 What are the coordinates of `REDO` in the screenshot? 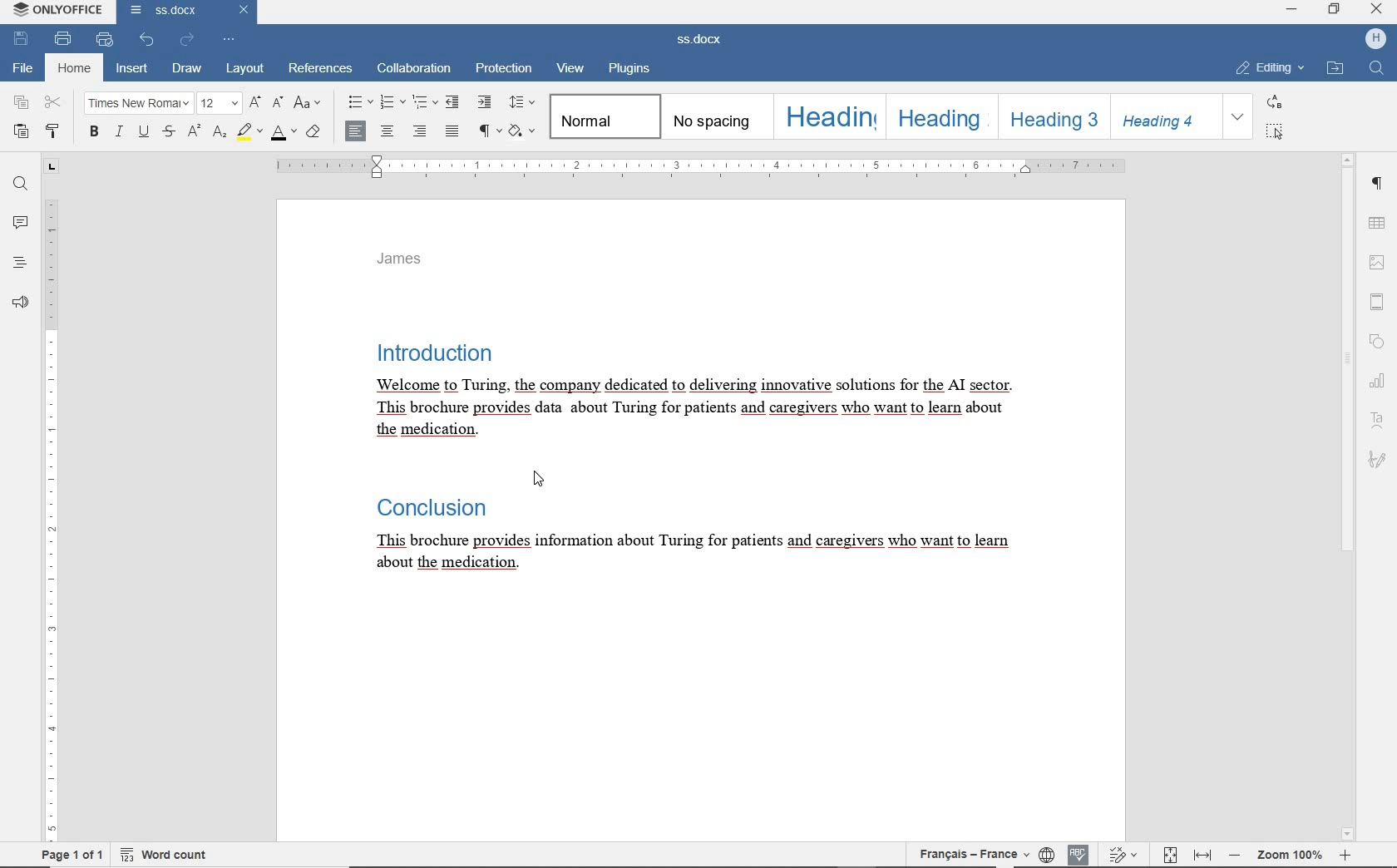 It's located at (186, 40).